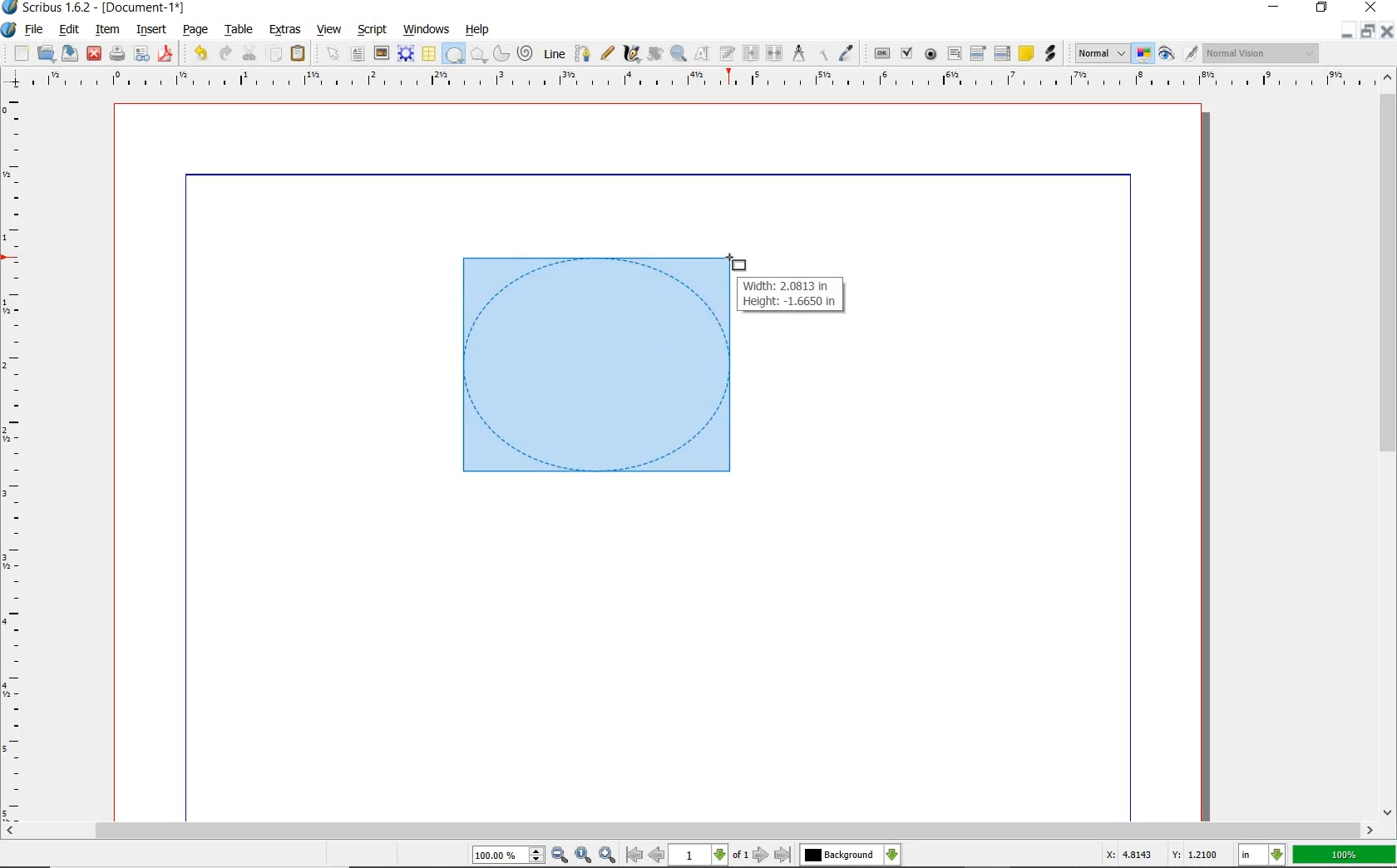 The height and width of the screenshot is (868, 1397). I want to click on PREFLIGHT VERIFIER, so click(141, 52).